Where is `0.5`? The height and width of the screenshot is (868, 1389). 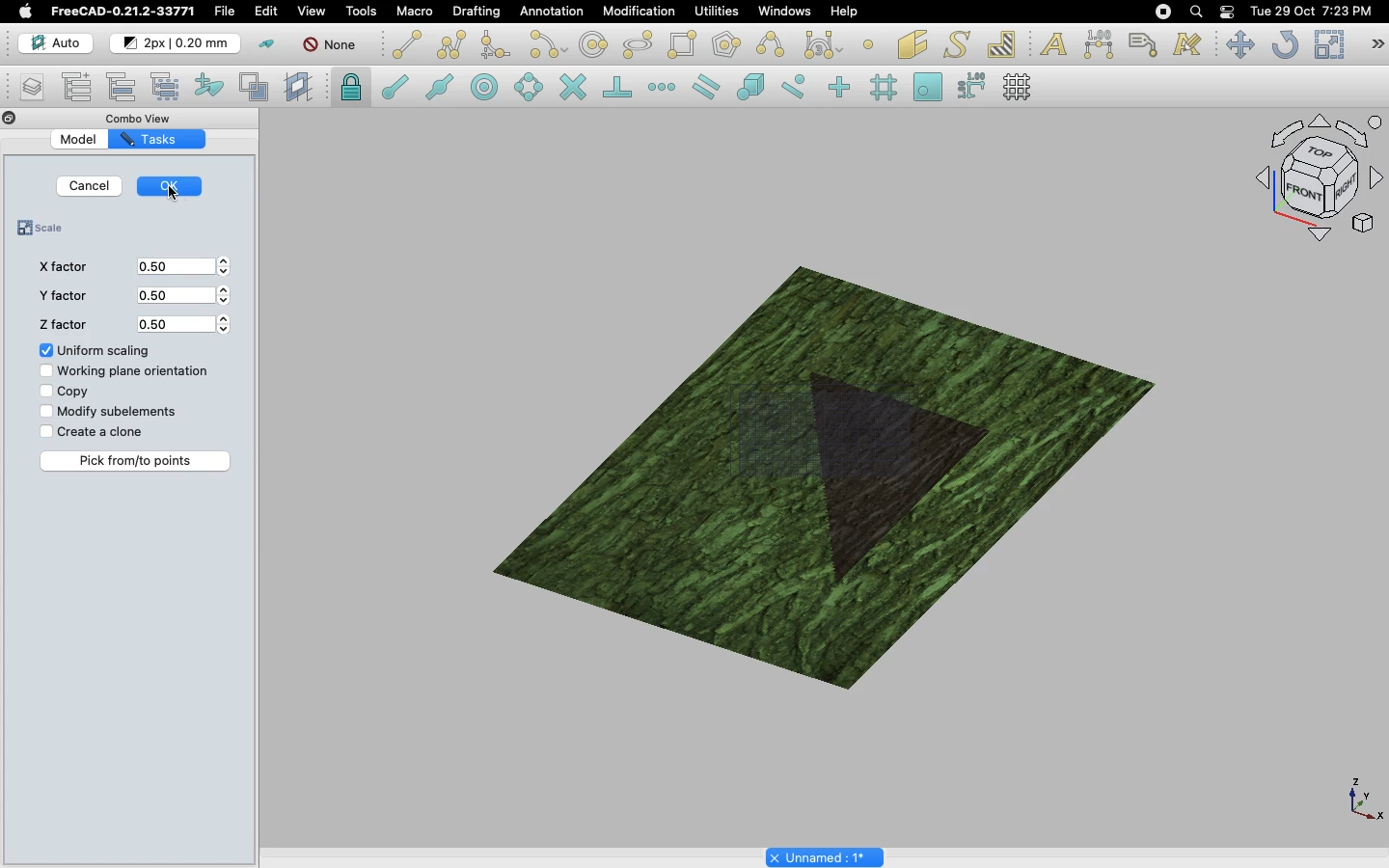
0.5 is located at coordinates (185, 296).